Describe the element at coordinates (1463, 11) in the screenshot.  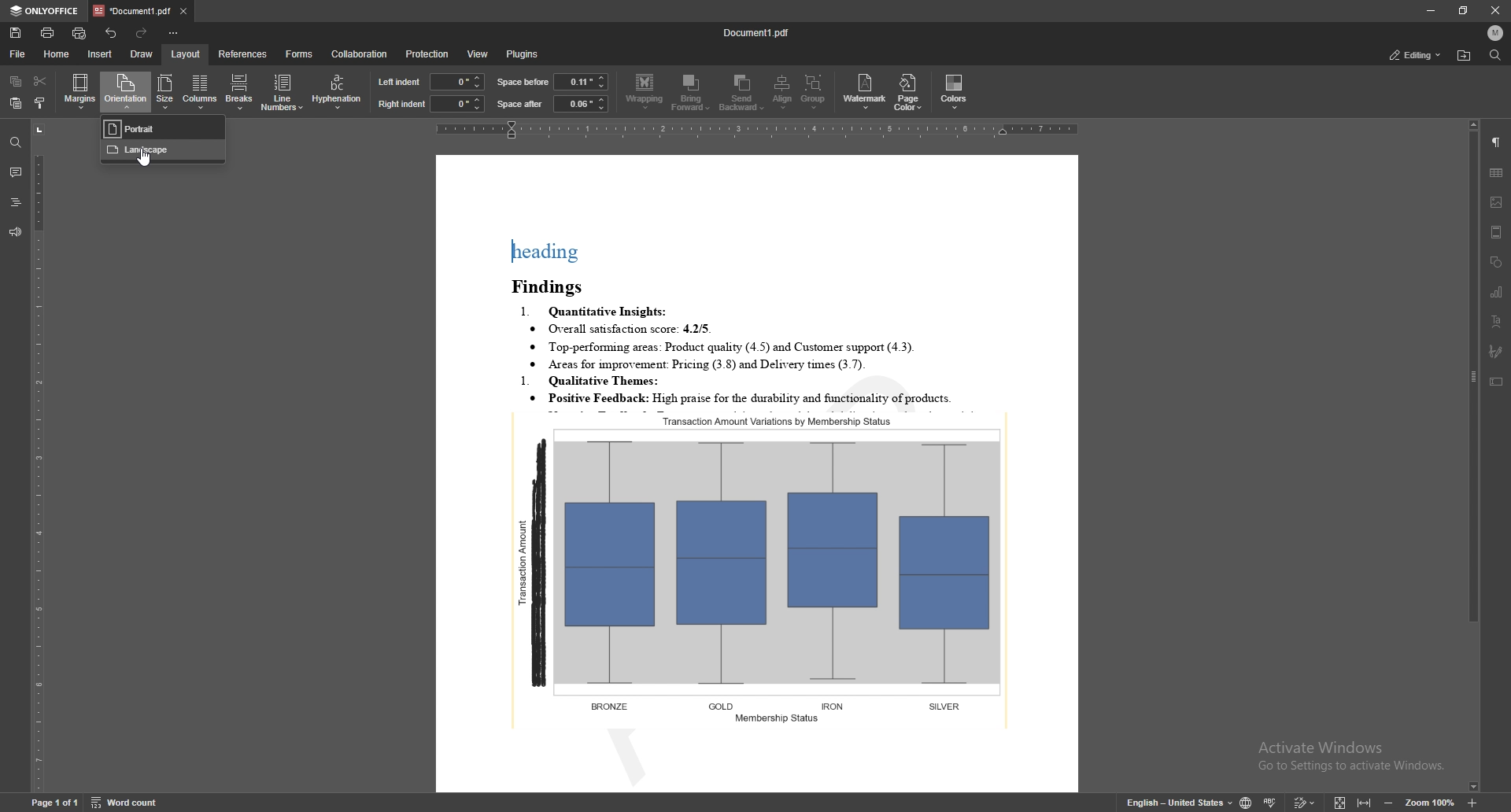
I see `resize` at that location.